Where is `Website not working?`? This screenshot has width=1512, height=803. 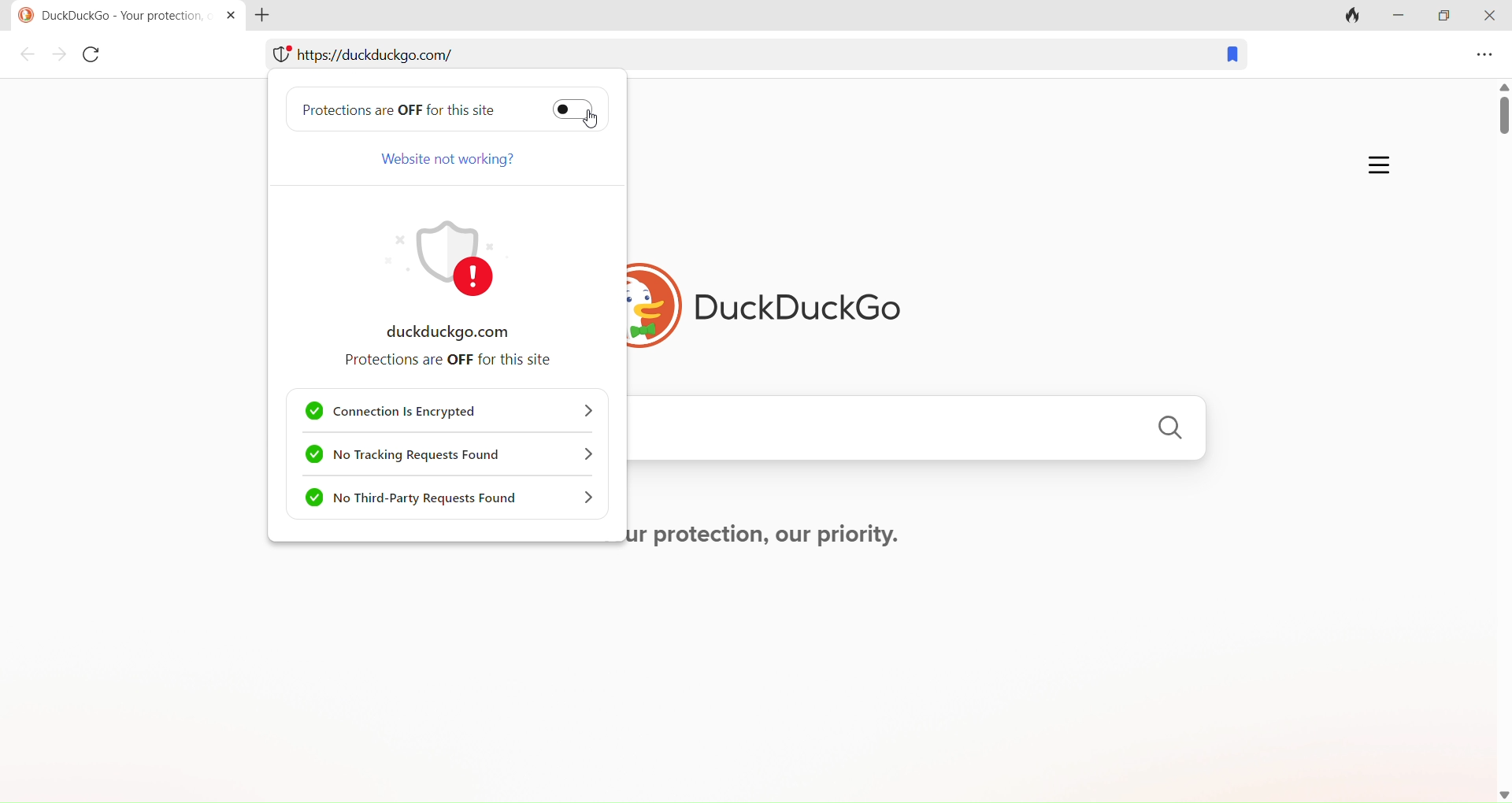 Website not working? is located at coordinates (453, 161).